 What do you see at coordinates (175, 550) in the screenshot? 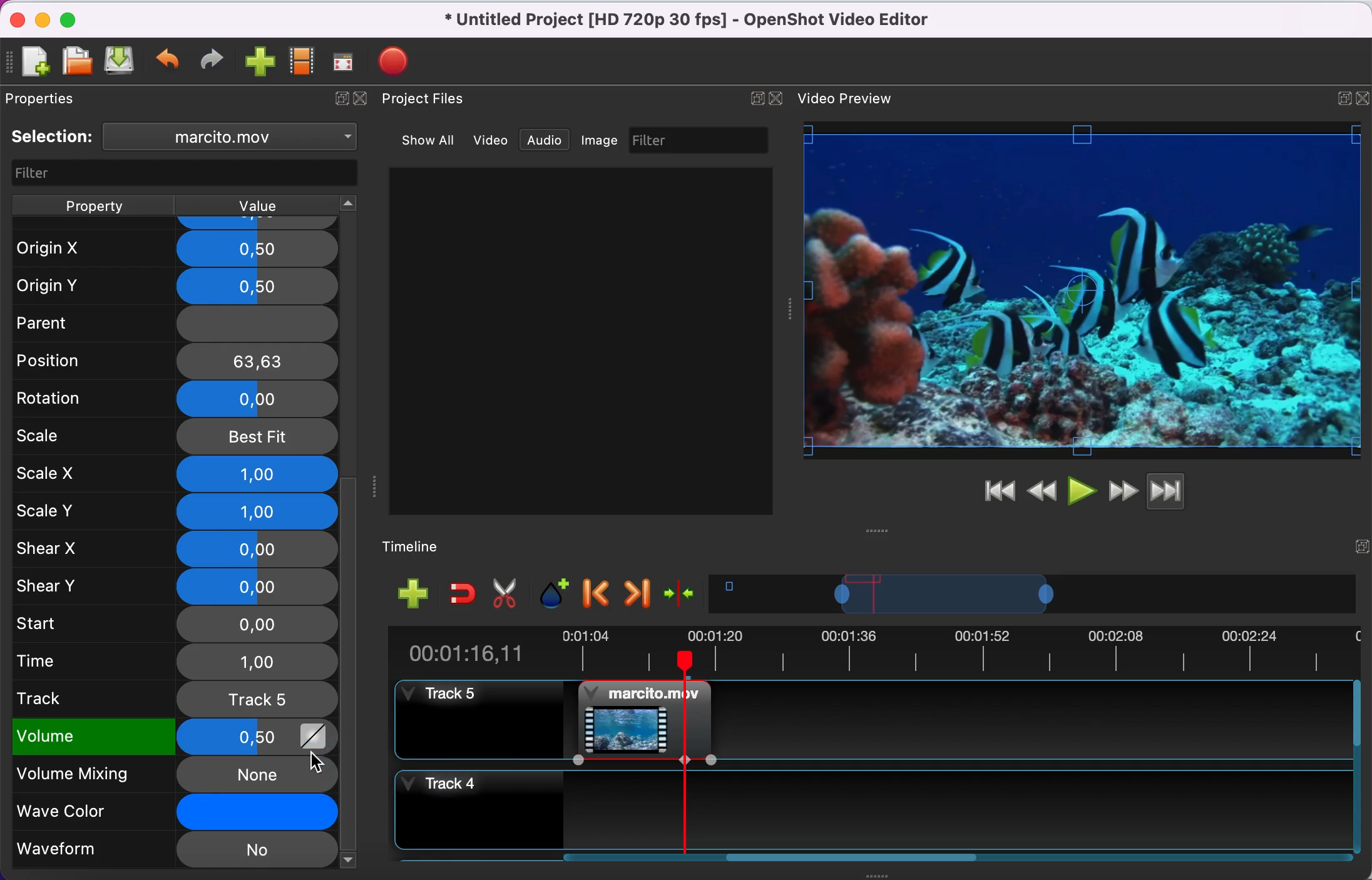
I see `shear x 0` at bounding box center [175, 550].